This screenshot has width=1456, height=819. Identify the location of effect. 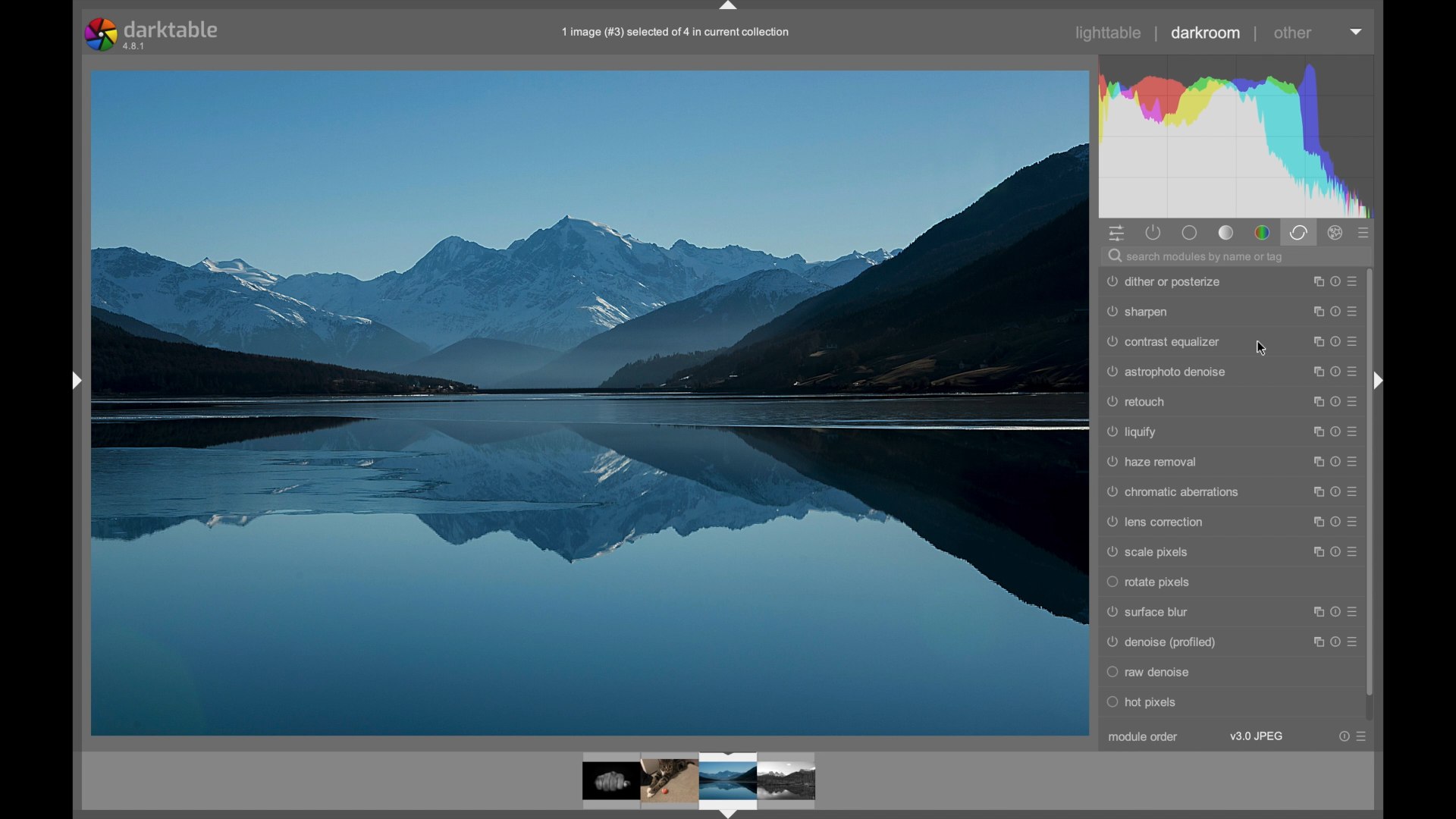
(1336, 231).